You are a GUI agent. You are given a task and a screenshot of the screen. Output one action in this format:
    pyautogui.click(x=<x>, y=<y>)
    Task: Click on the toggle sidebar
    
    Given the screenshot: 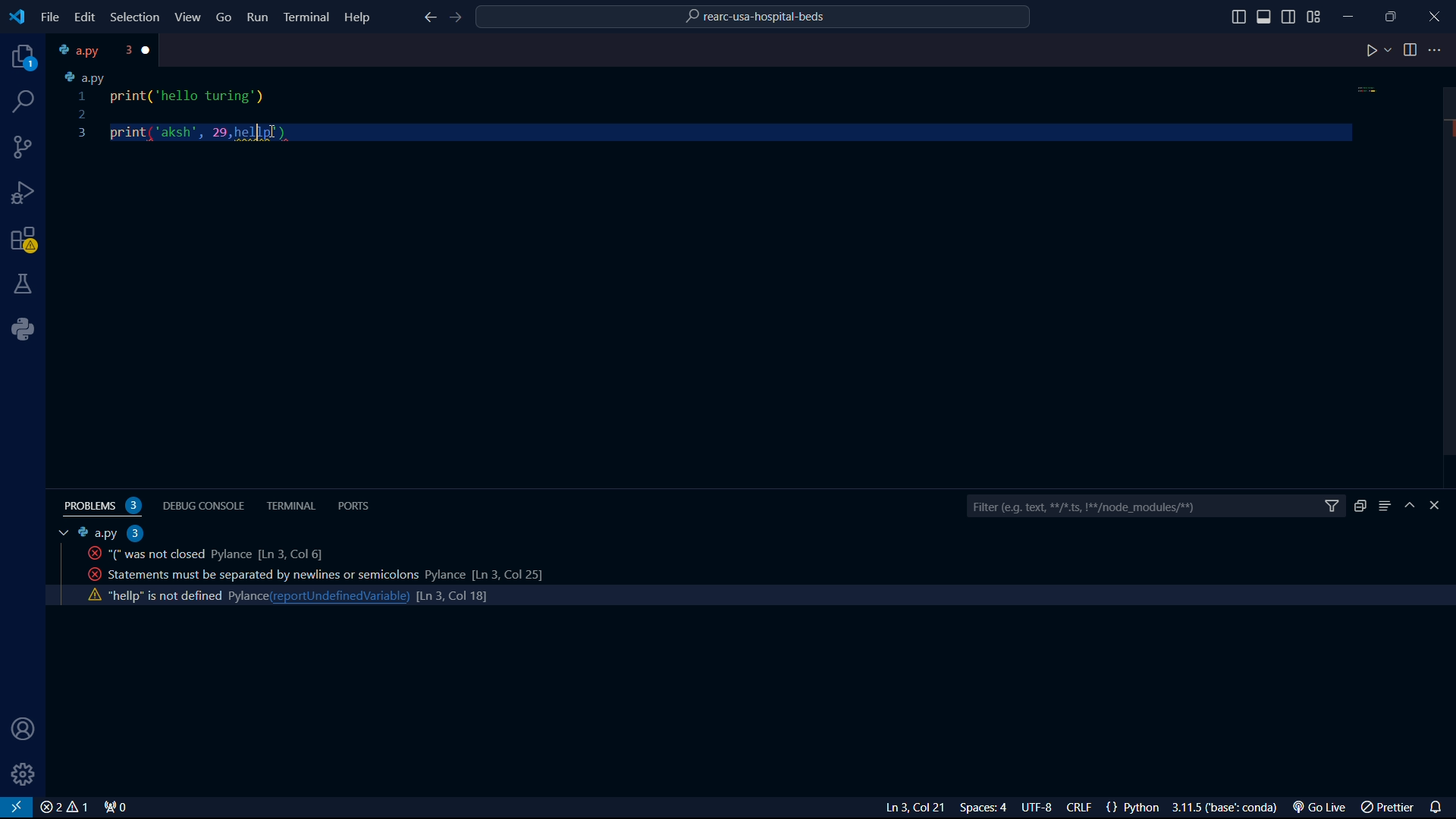 What is the action you would take?
    pyautogui.click(x=1238, y=17)
    